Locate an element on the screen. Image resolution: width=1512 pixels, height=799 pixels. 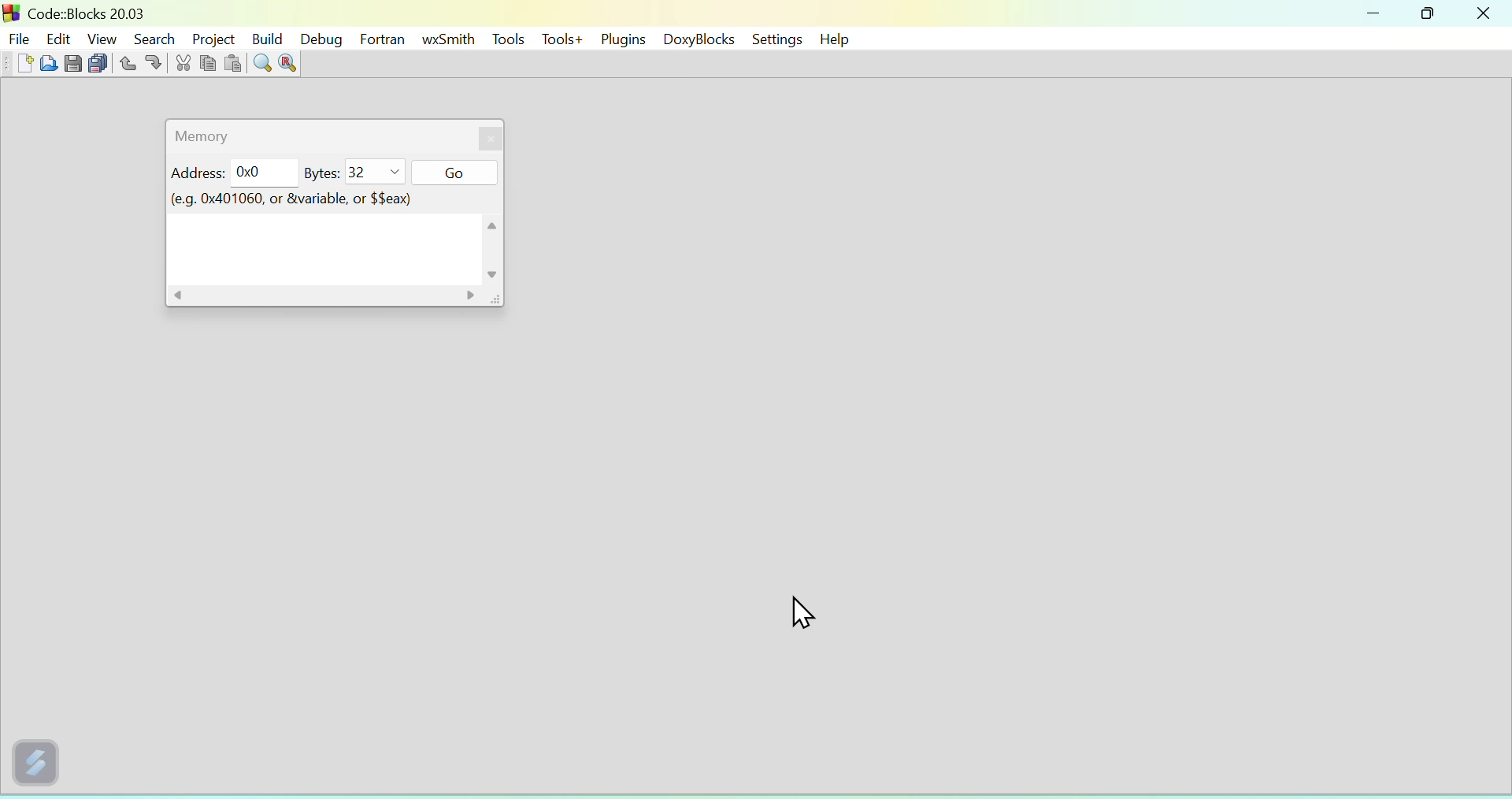
Fortran is located at coordinates (382, 37).